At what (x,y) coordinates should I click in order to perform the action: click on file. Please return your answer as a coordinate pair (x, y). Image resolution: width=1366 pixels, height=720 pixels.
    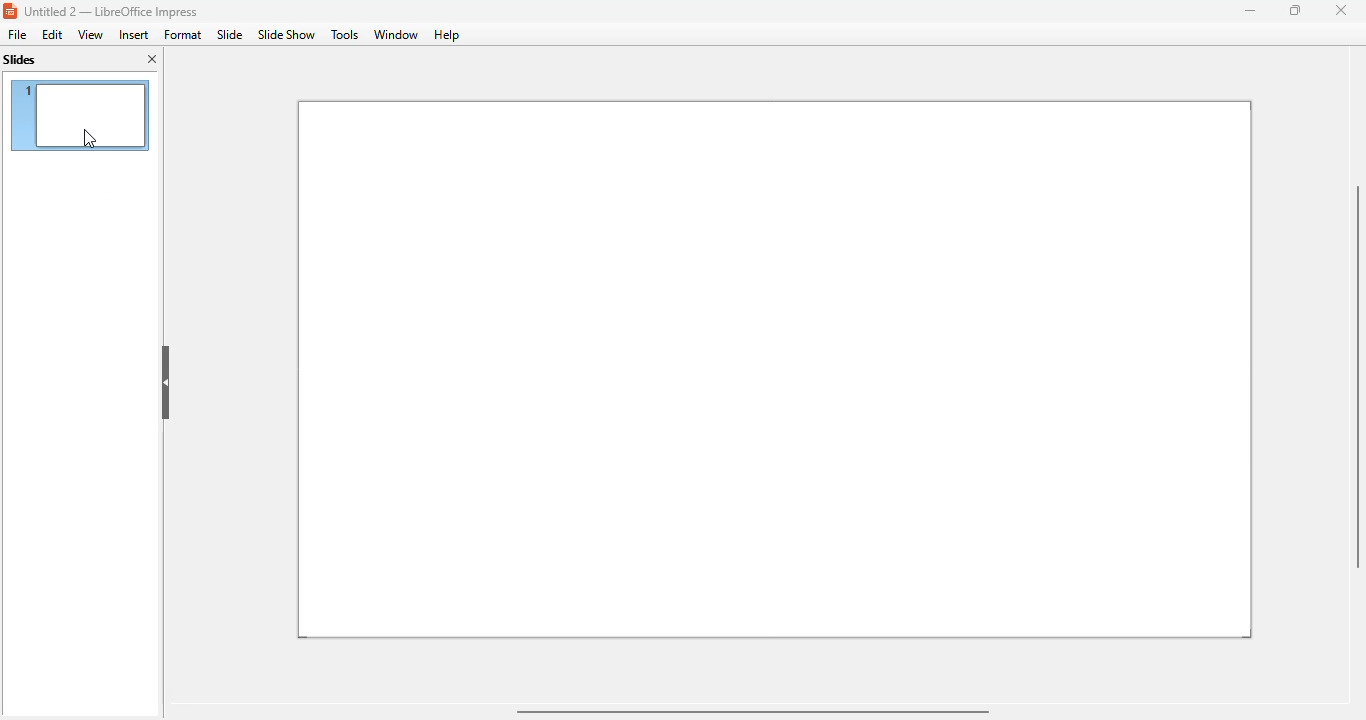
    Looking at the image, I should click on (16, 34).